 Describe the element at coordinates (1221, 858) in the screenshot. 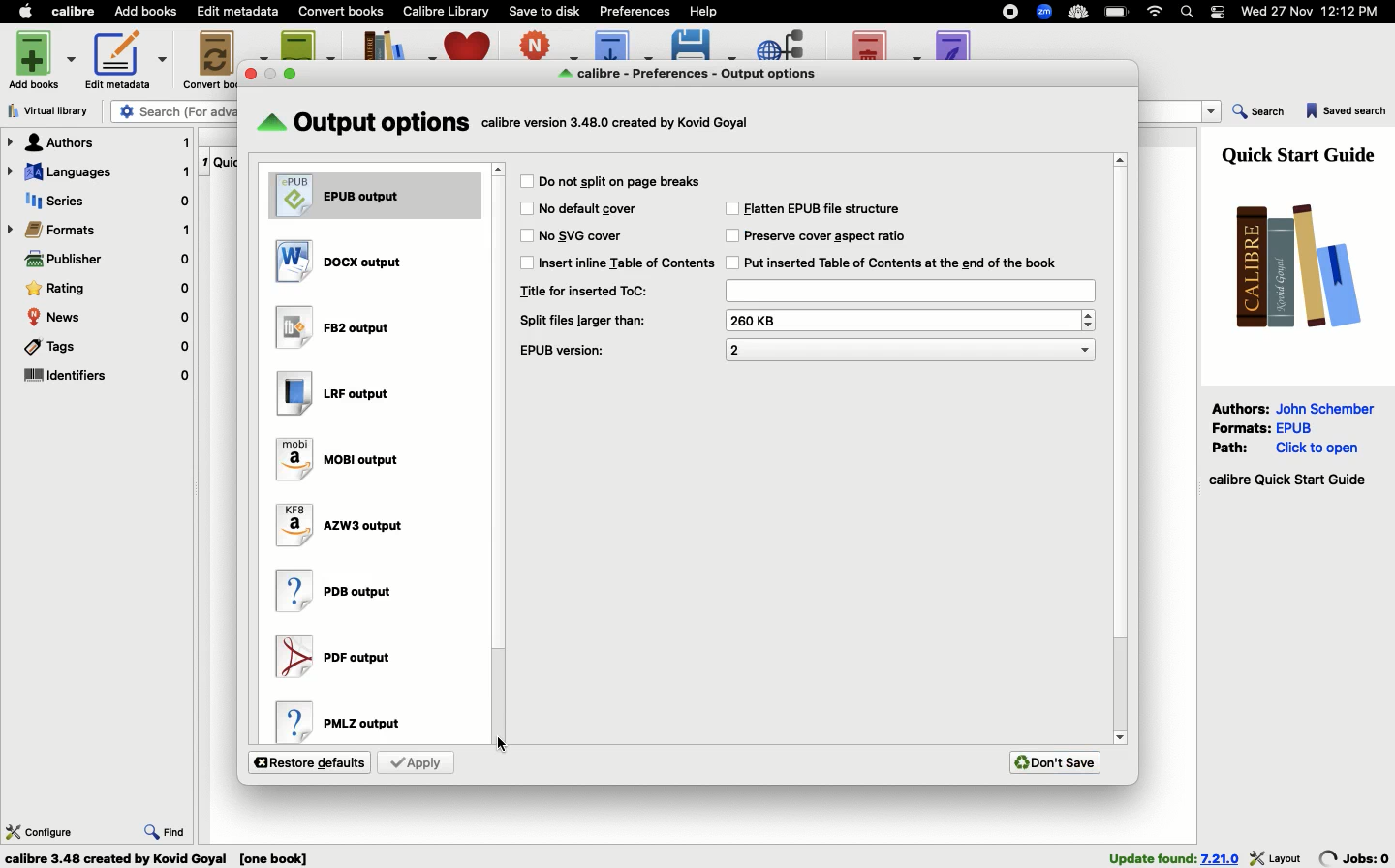

I see `version` at that location.